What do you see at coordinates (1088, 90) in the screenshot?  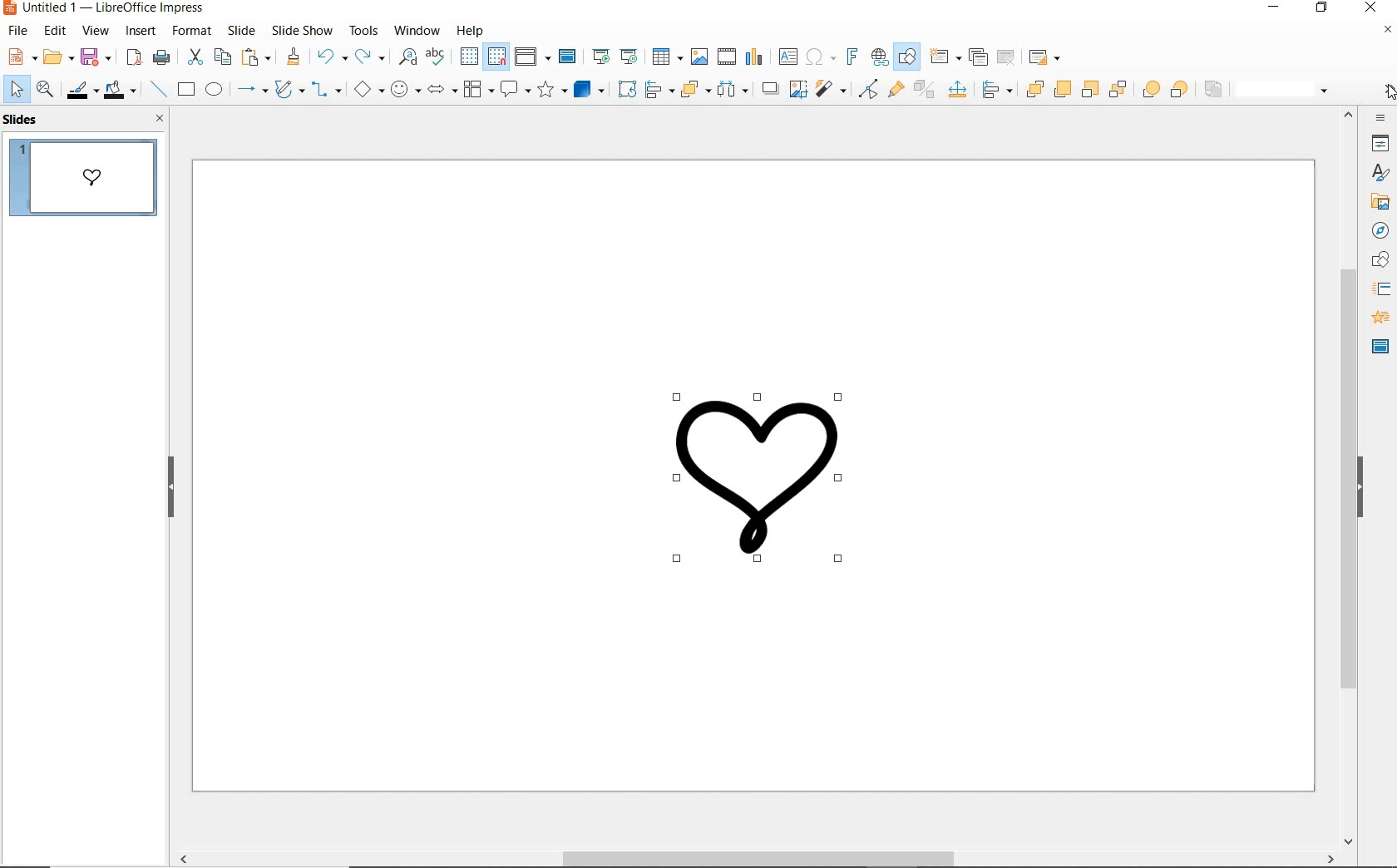 I see `send backward` at bounding box center [1088, 90].